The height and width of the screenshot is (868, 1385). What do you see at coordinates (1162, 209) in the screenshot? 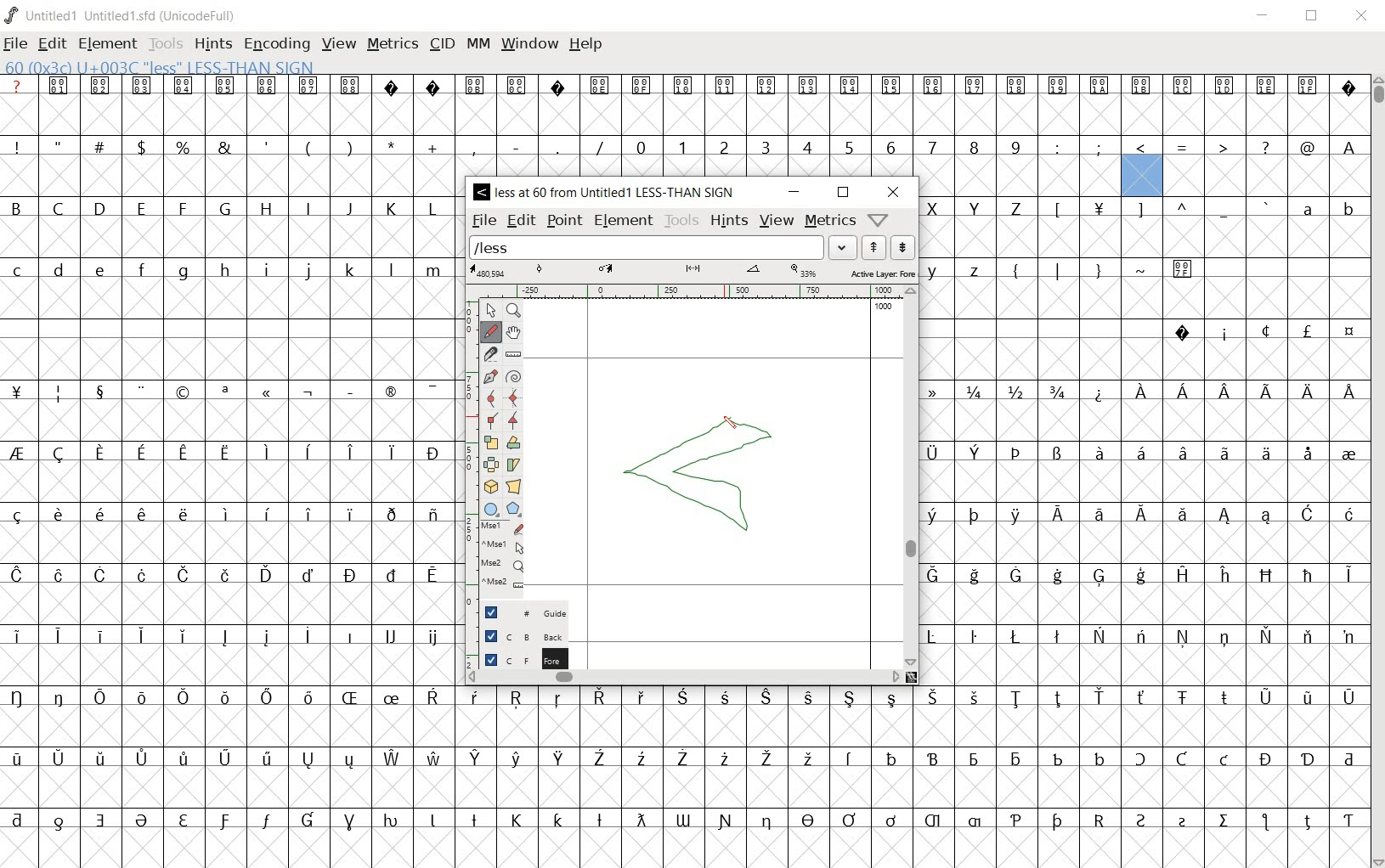
I see `sumbols` at bounding box center [1162, 209].